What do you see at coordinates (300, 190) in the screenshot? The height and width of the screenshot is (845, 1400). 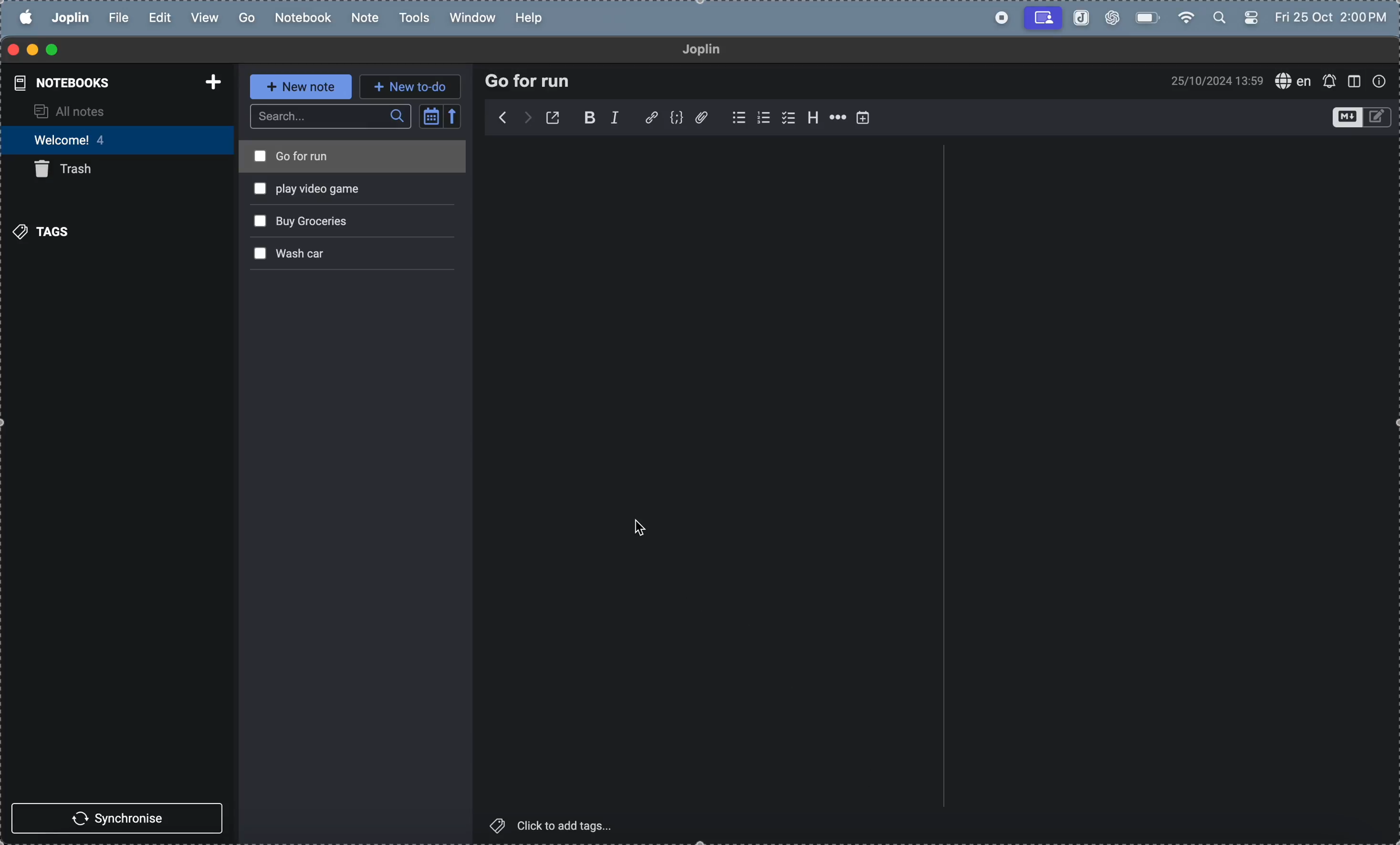 I see `play video game` at bounding box center [300, 190].